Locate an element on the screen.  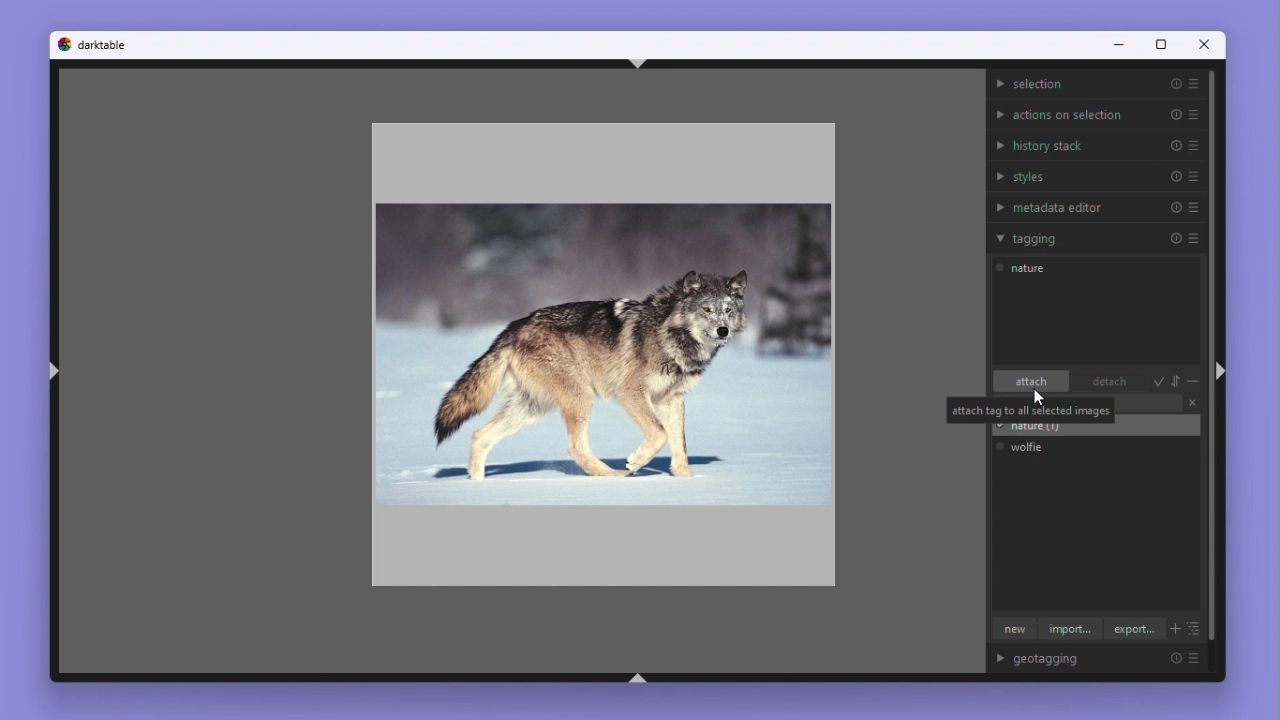
wolfie is located at coordinates (1034, 446).